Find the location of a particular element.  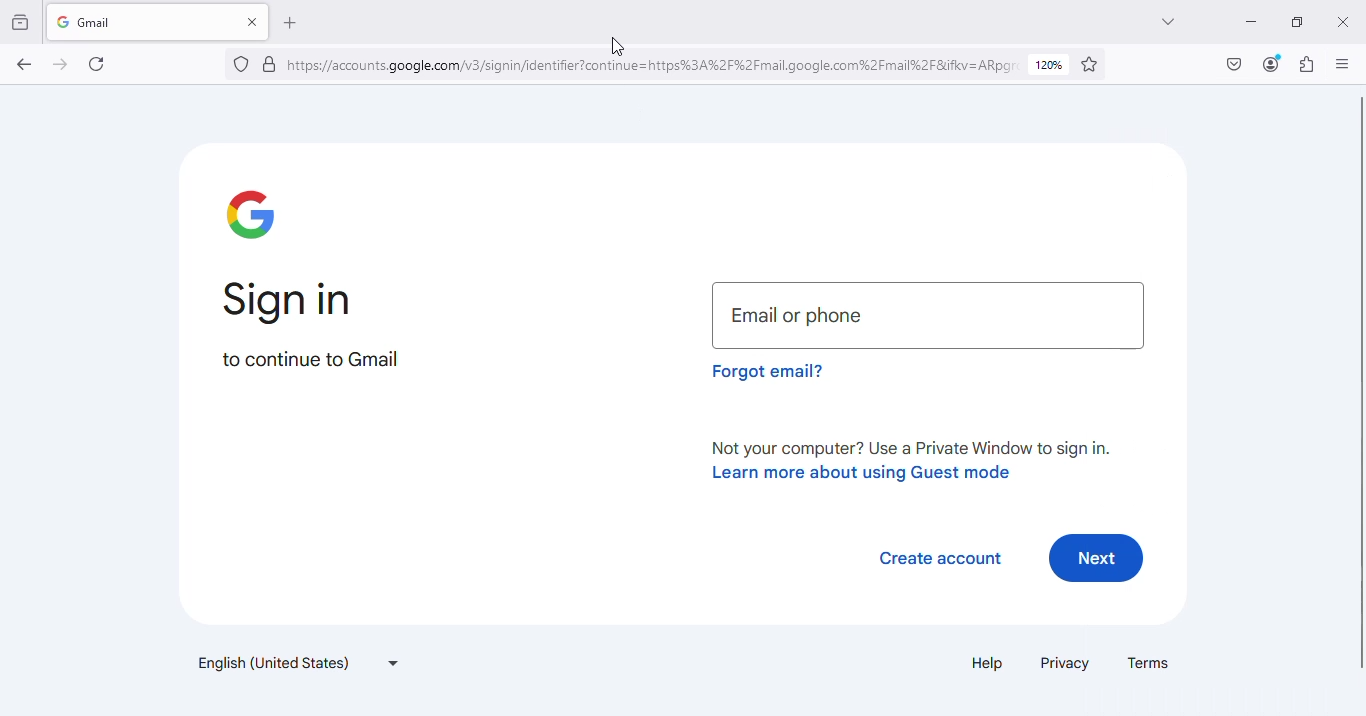

open a new tab is located at coordinates (289, 23).